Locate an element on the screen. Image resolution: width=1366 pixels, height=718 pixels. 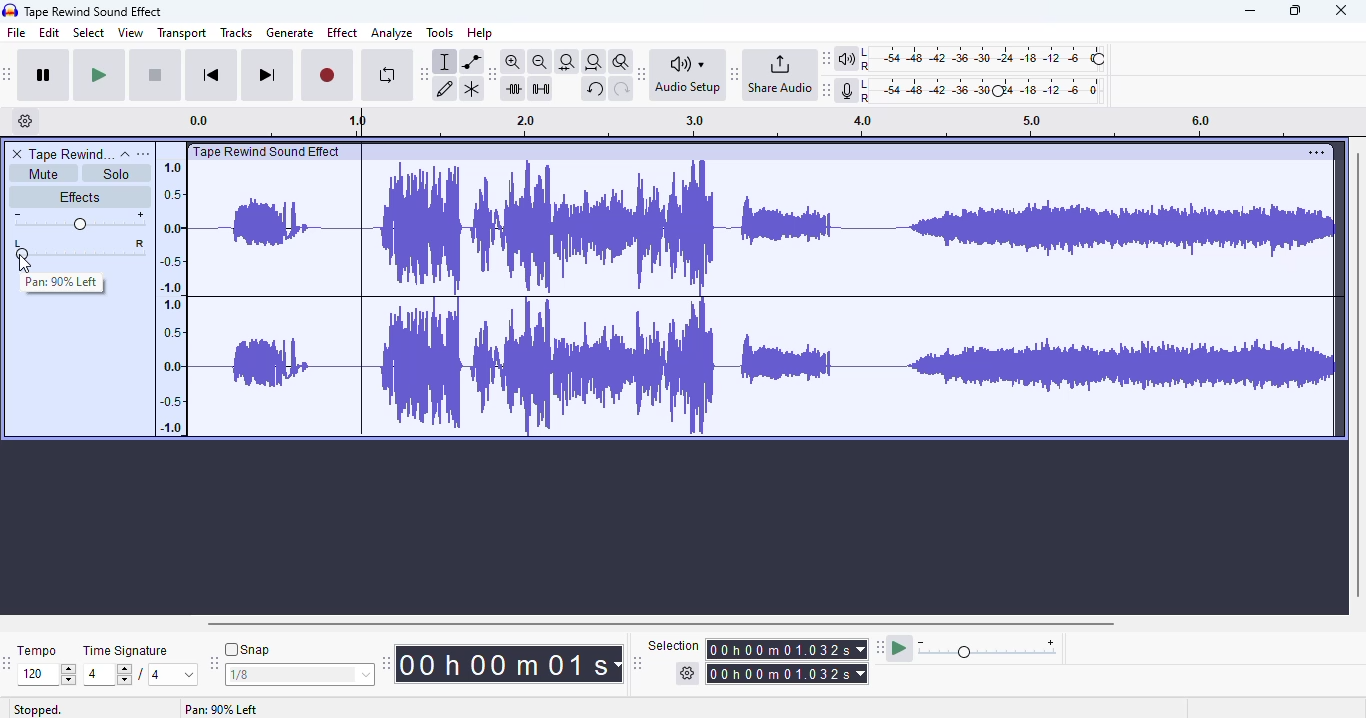
audio setup is located at coordinates (691, 75).